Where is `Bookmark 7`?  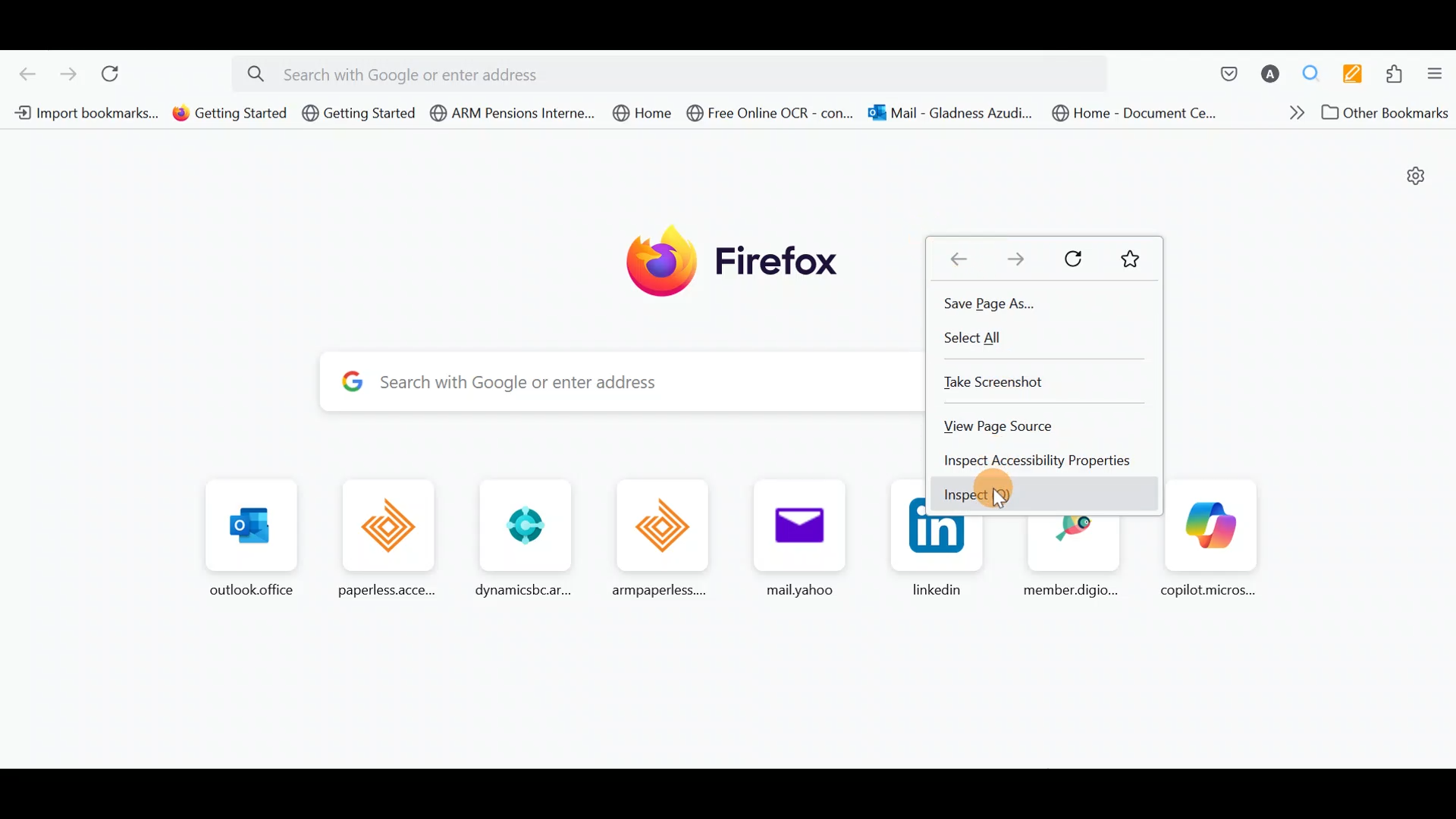 Bookmark 7 is located at coordinates (949, 114).